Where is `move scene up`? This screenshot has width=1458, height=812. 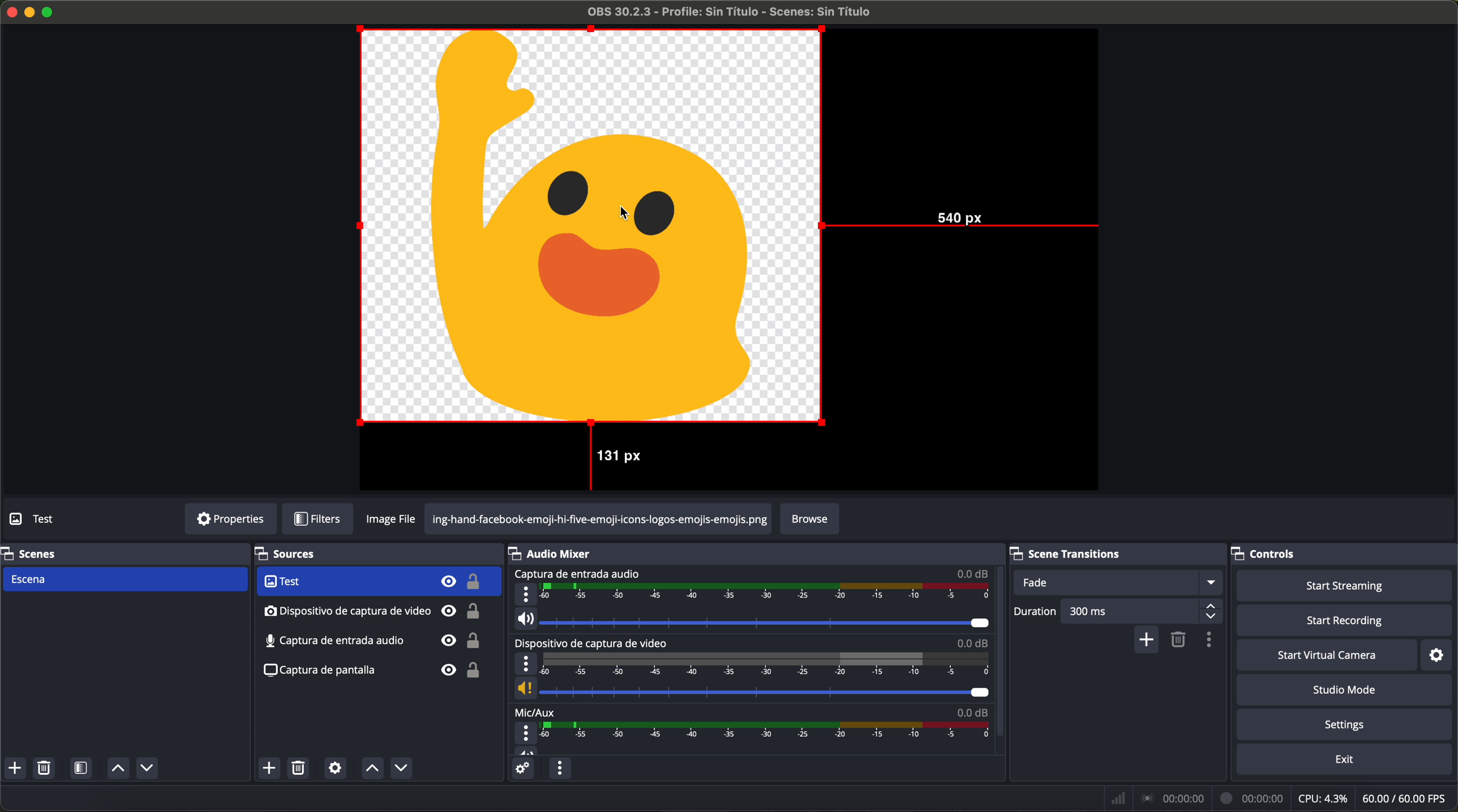
move scene up is located at coordinates (118, 769).